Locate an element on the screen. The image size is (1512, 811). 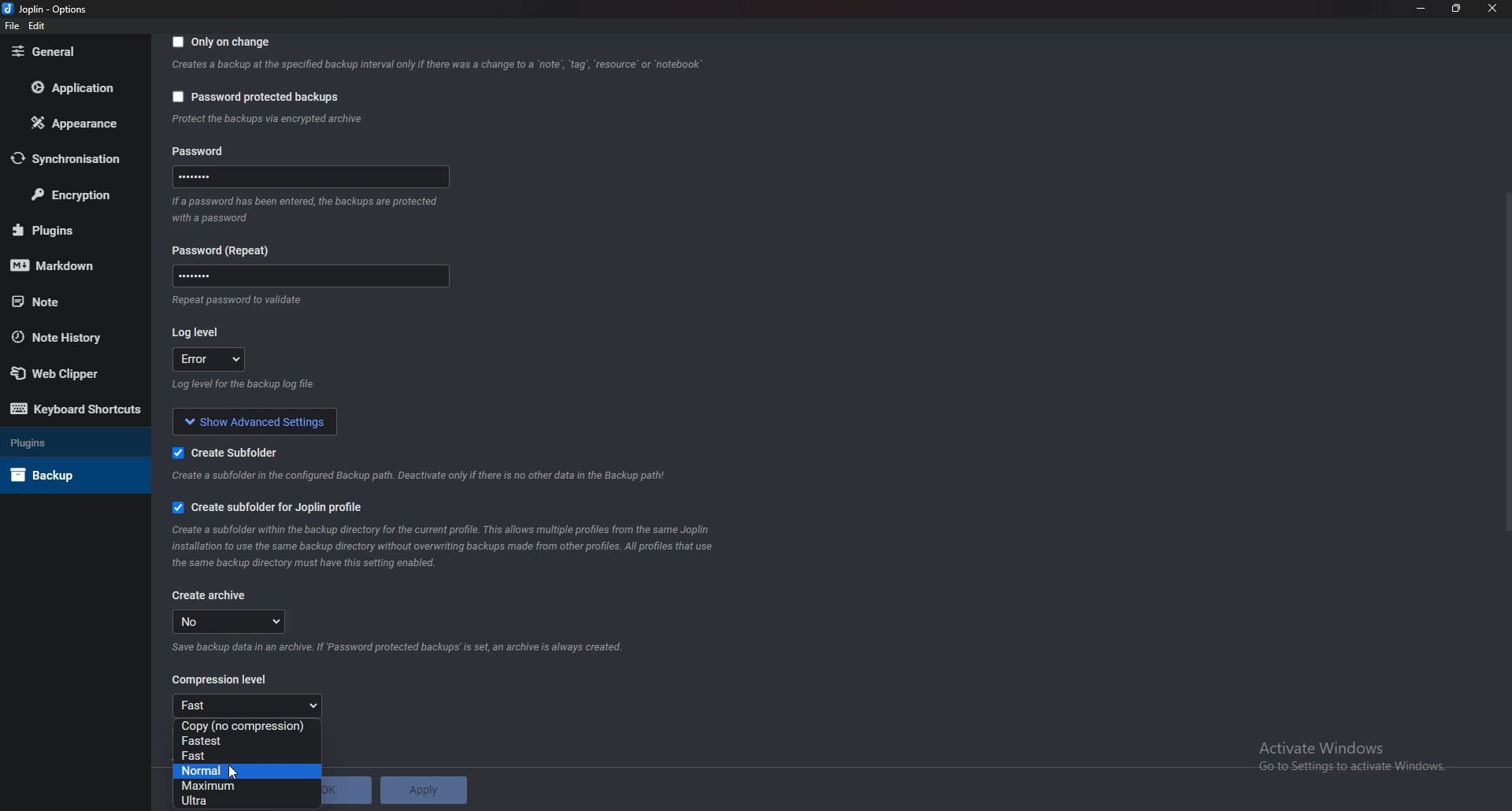
Password is located at coordinates (308, 180).